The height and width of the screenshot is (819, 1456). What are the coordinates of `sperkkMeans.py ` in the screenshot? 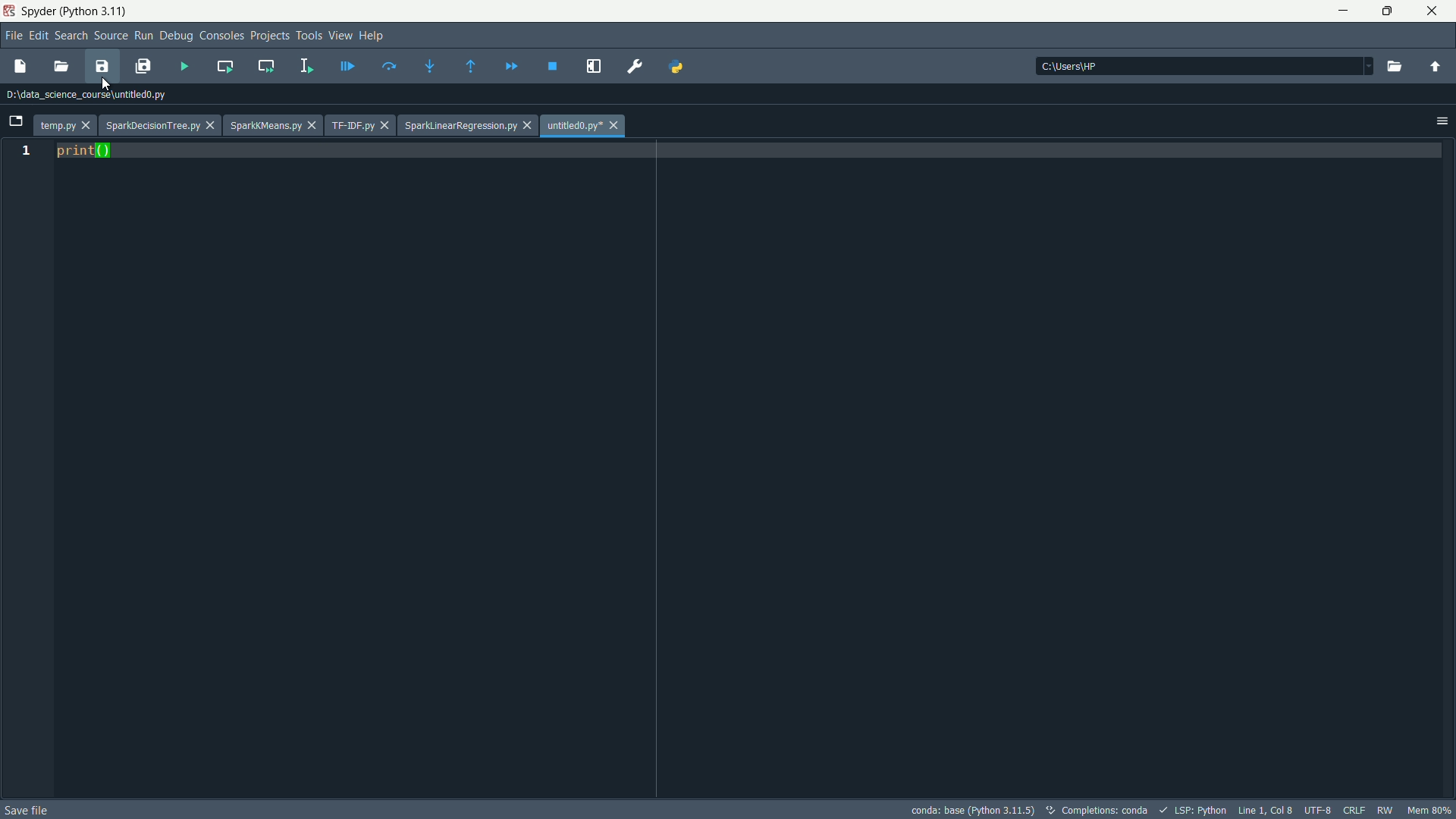 It's located at (266, 127).